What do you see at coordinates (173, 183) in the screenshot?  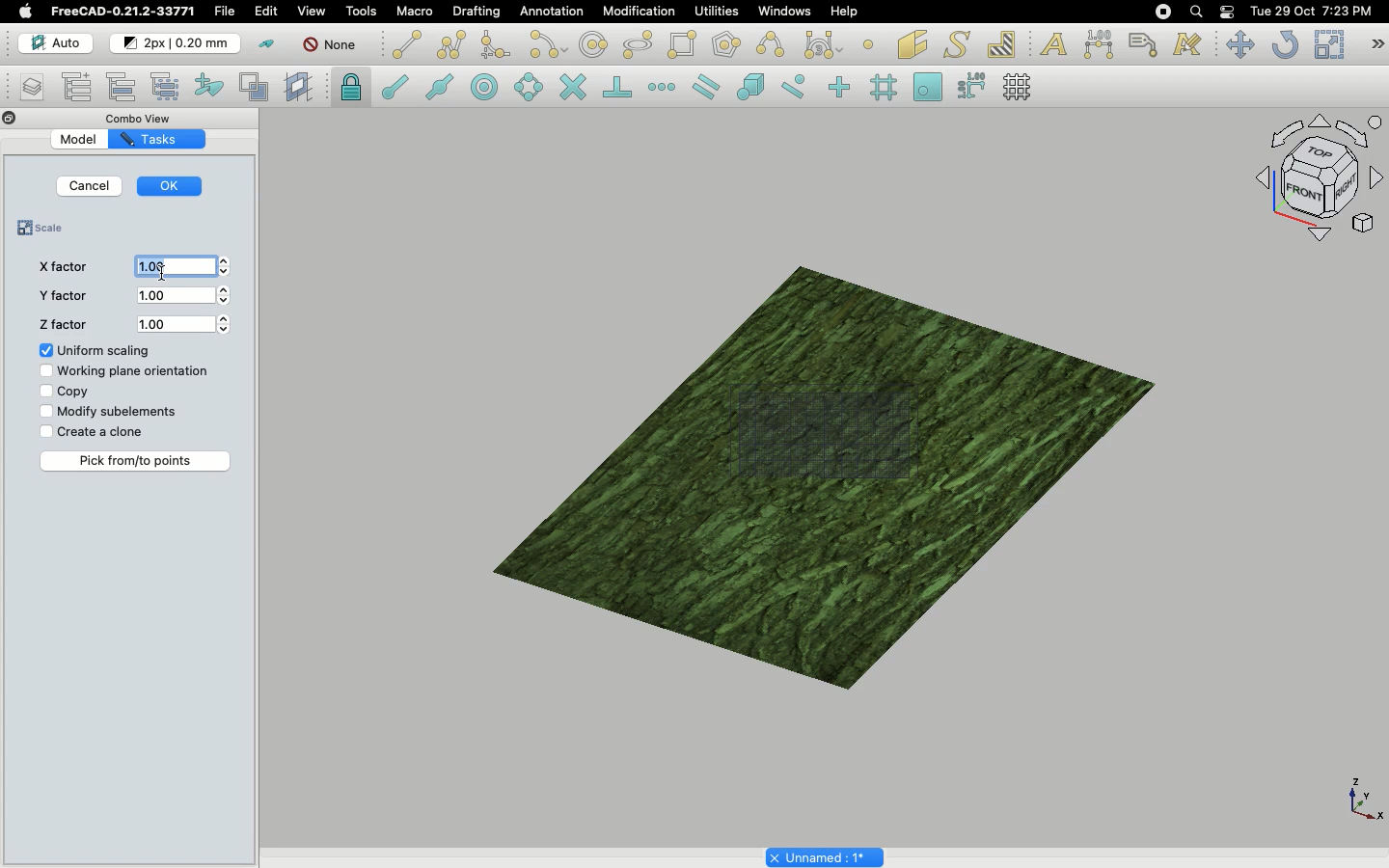 I see `OK` at bounding box center [173, 183].